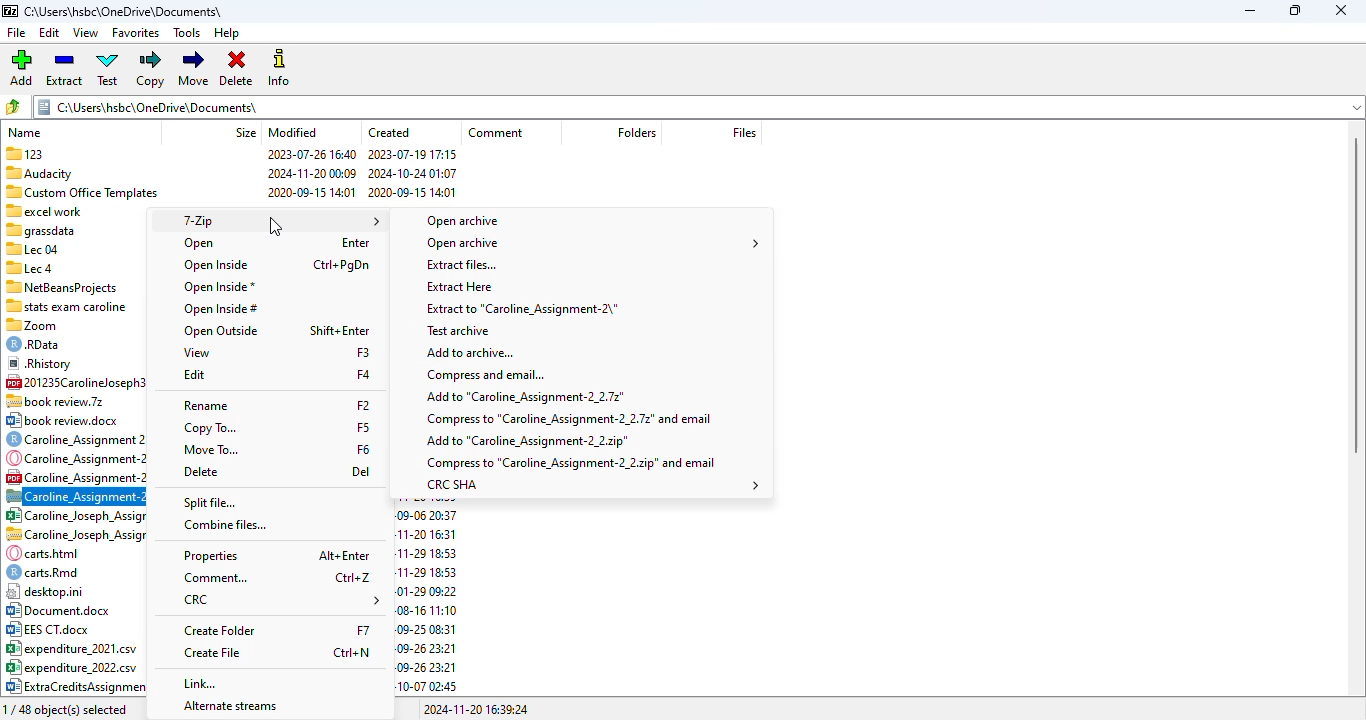 The height and width of the screenshot is (720, 1366). What do you see at coordinates (77, 458) in the screenshot?
I see ` Caroline_Assignment-2.... 808485 2023-10-06 15:37 2023-10-06 15:35` at bounding box center [77, 458].